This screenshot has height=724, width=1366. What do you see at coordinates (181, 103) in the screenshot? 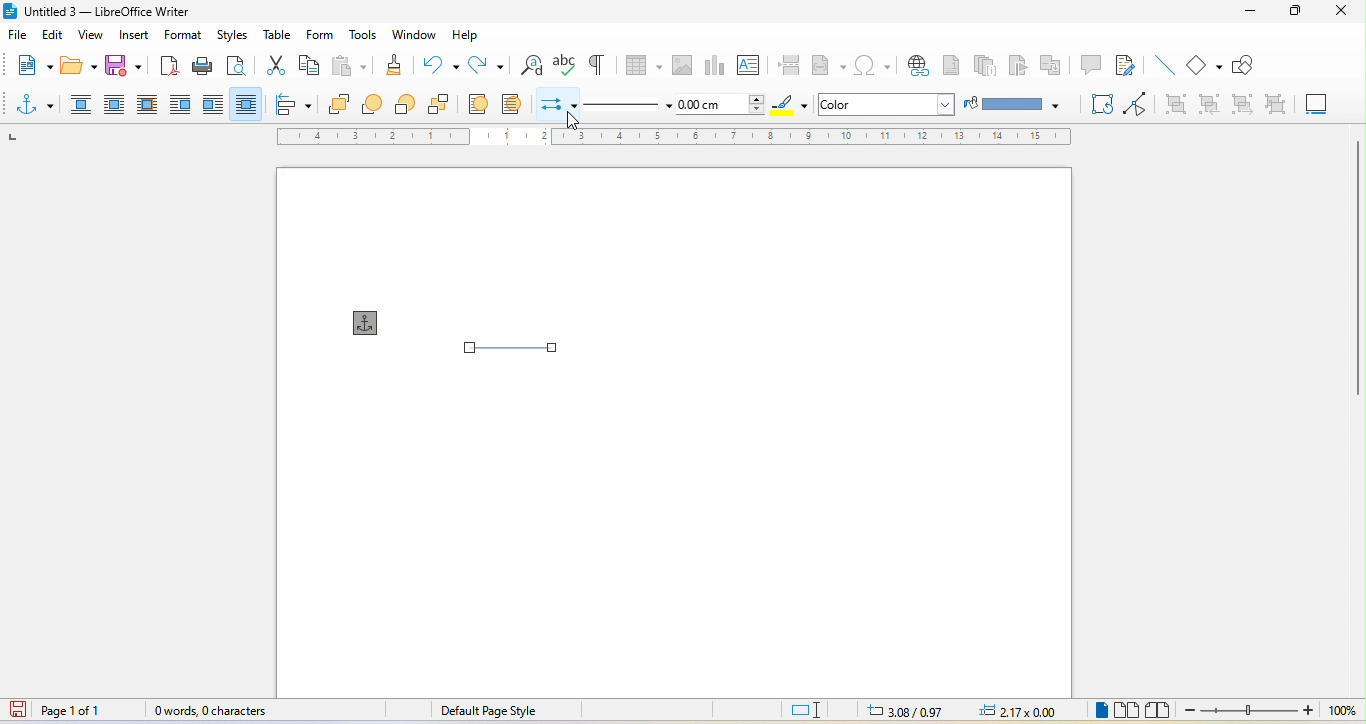
I see `before` at bounding box center [181, 103].